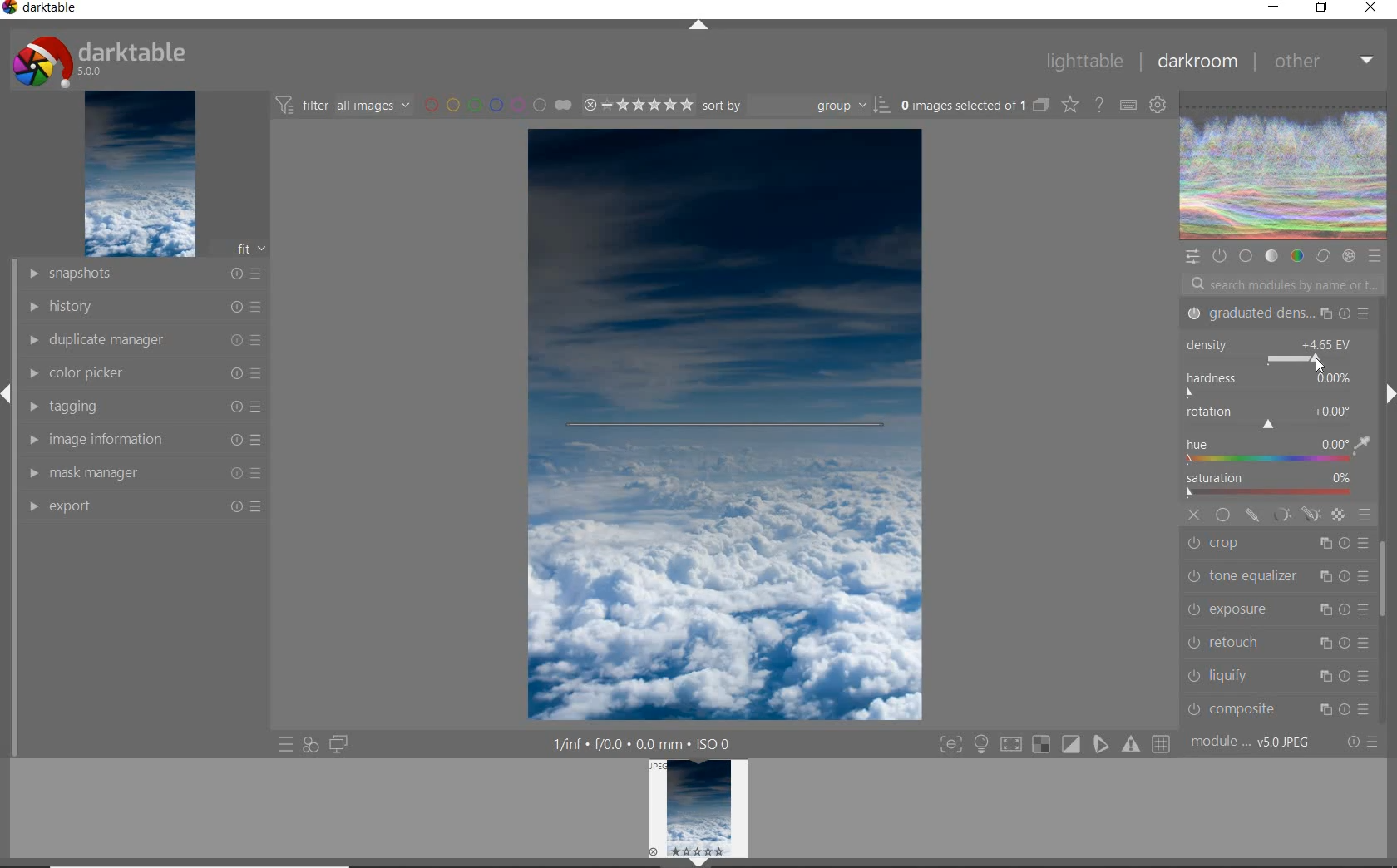  I want to click on MASK MANAGER, so click(147, 472).